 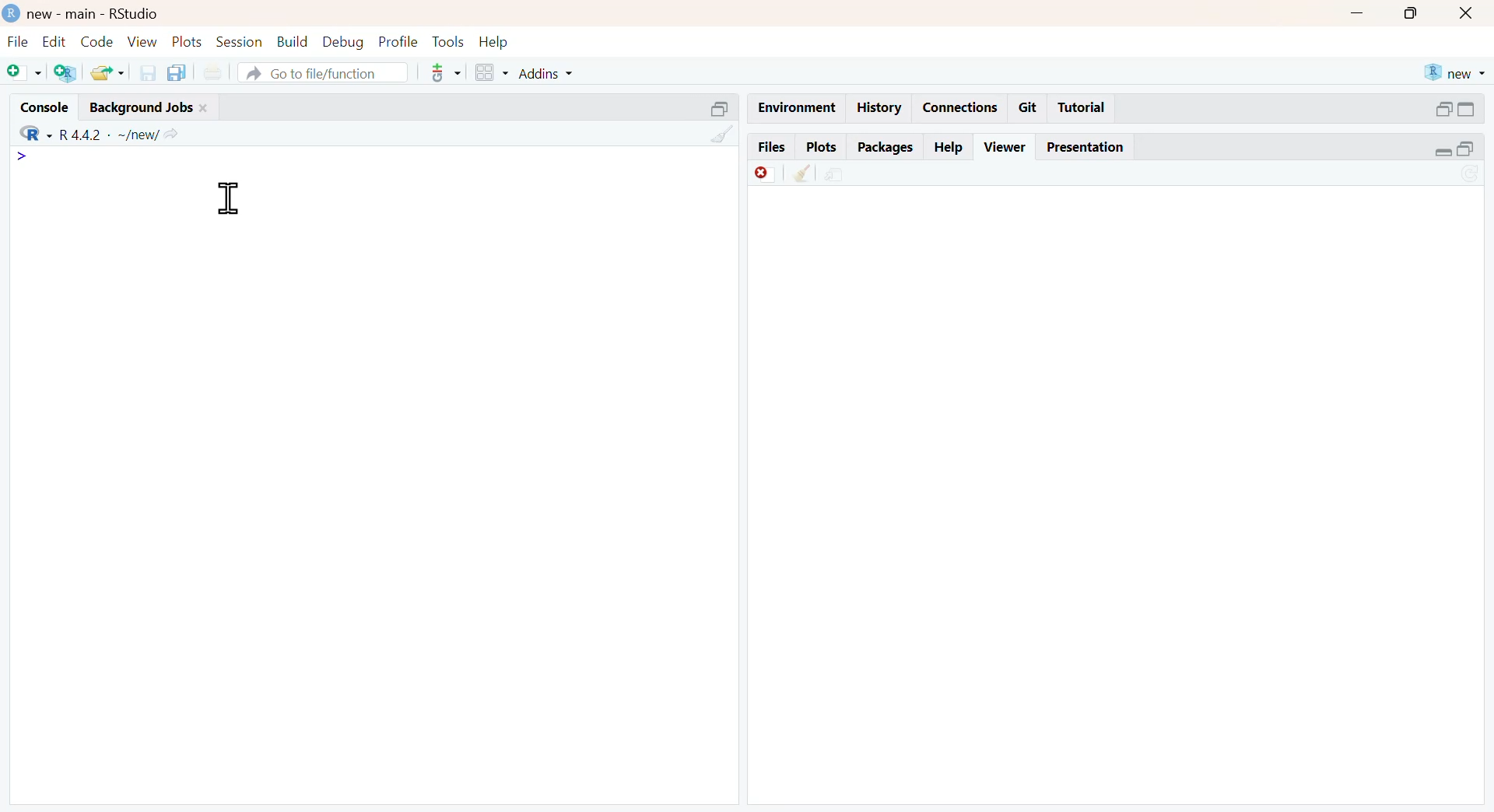 What do you see at coordinates (548, 75) in the screenshot?
I see `addins` at bounding box center [548, 75].